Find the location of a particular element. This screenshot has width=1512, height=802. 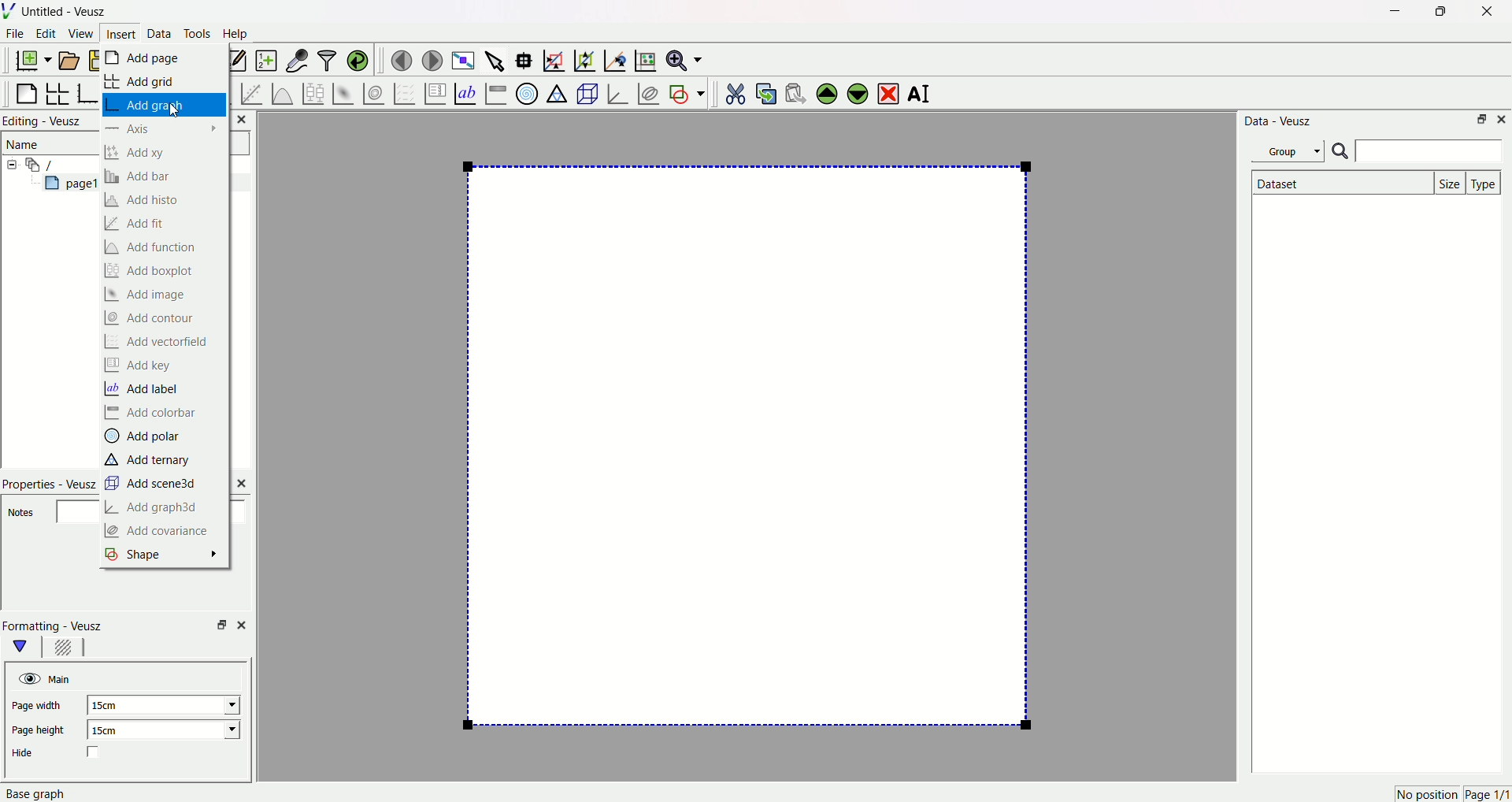

Notes. is located at coordinates (22, 514).